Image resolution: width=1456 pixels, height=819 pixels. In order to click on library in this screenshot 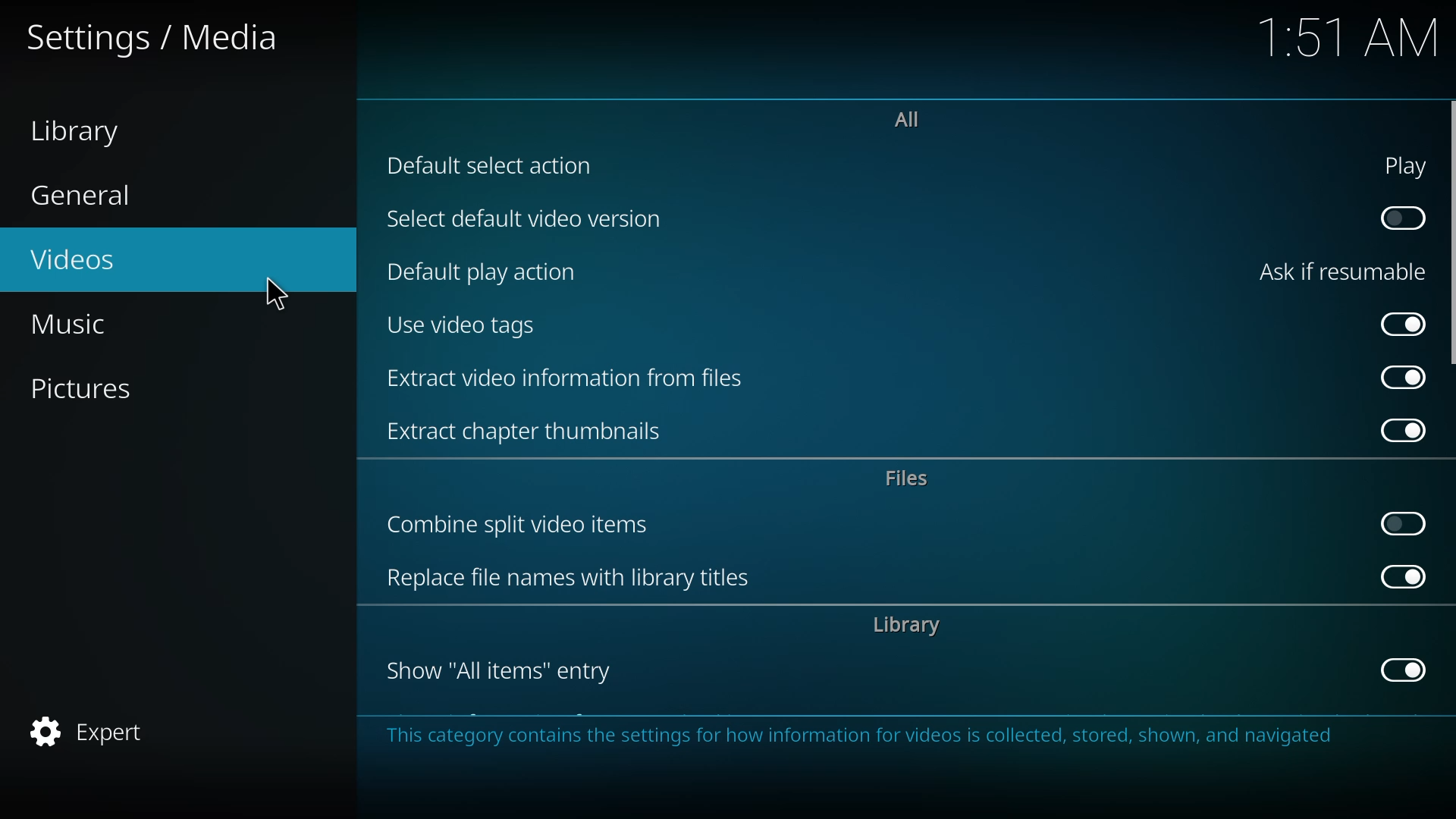, I will do `click(903, 625)`.